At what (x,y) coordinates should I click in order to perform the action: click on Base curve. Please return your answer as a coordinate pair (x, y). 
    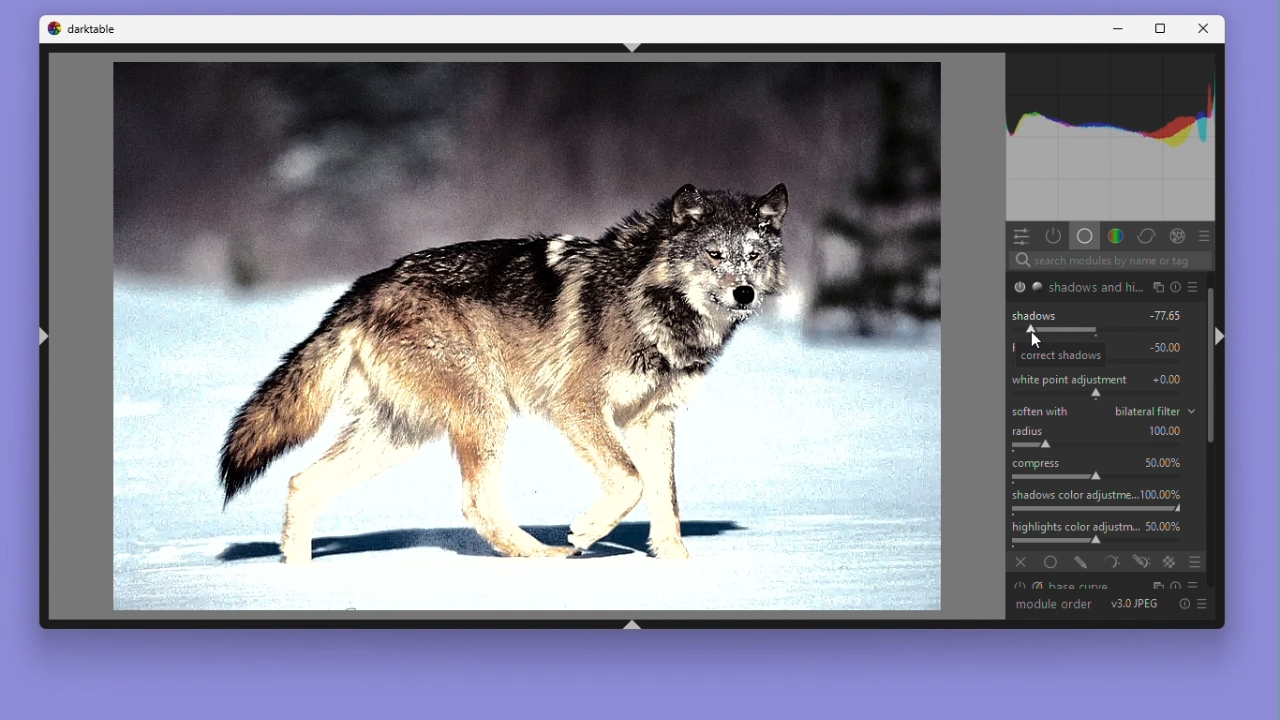
    Looking at the image, I should click on (1084, 585).